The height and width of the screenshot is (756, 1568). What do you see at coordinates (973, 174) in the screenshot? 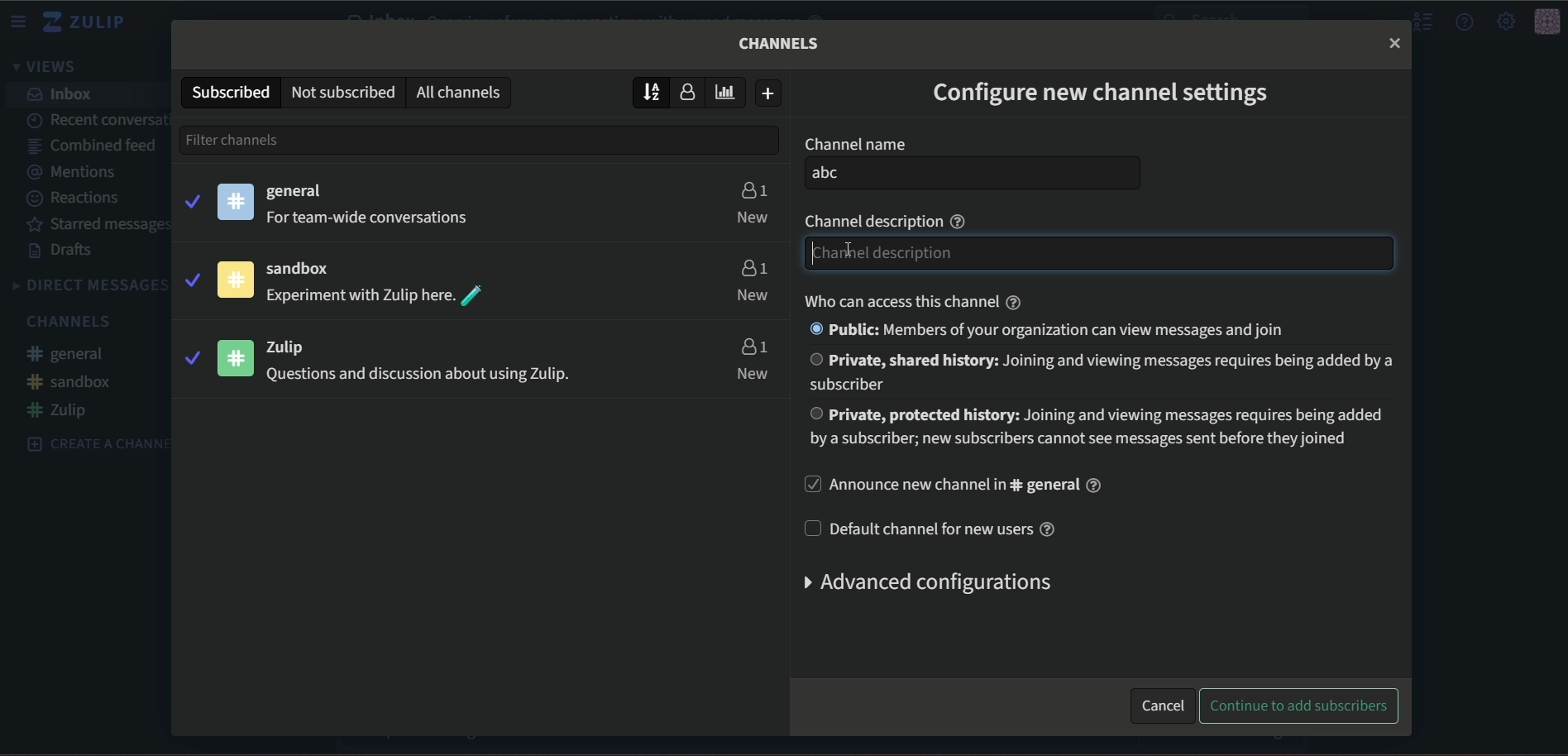
I see `abc` at bounding box center [973, 174].